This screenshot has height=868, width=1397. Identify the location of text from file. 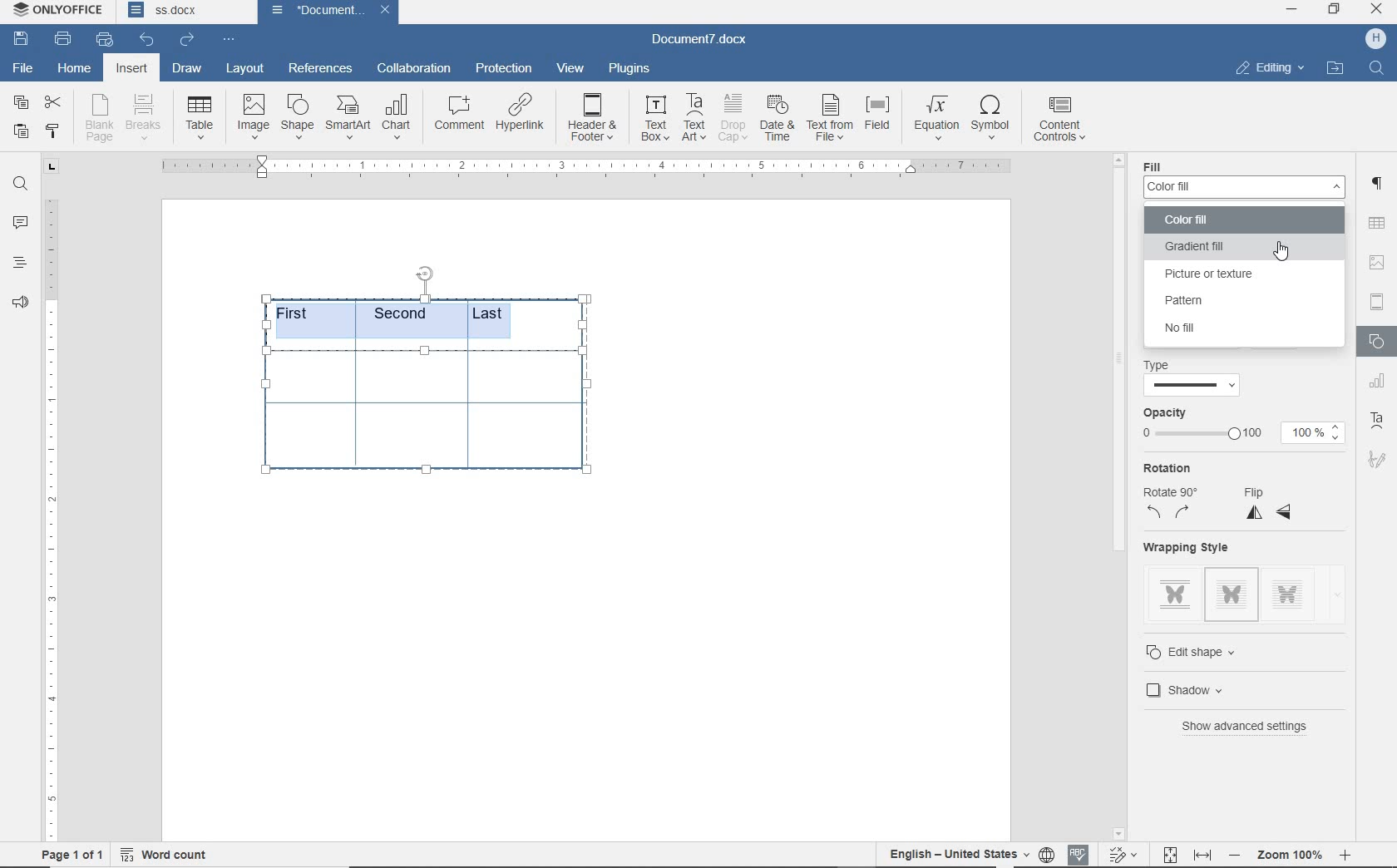
(830, 116).